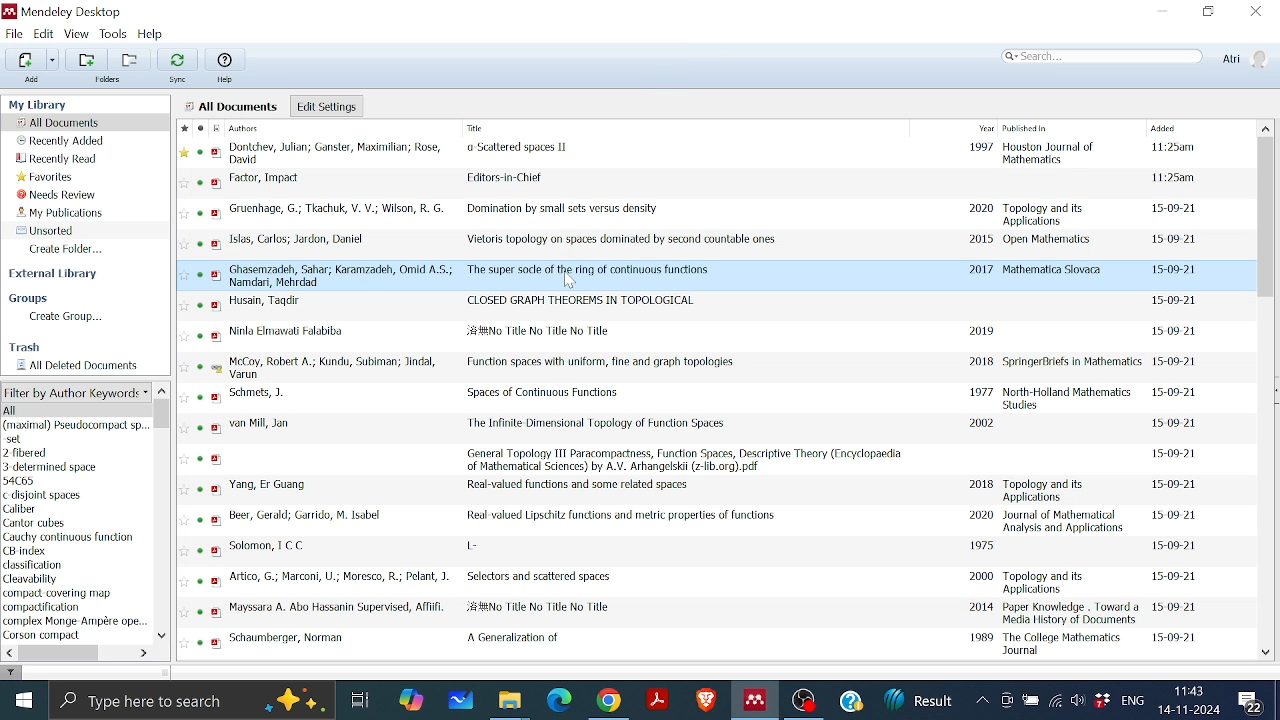 The width and height of the screenshot is (1280, 720). I want to click on Adobe reader, so click(658, 700).